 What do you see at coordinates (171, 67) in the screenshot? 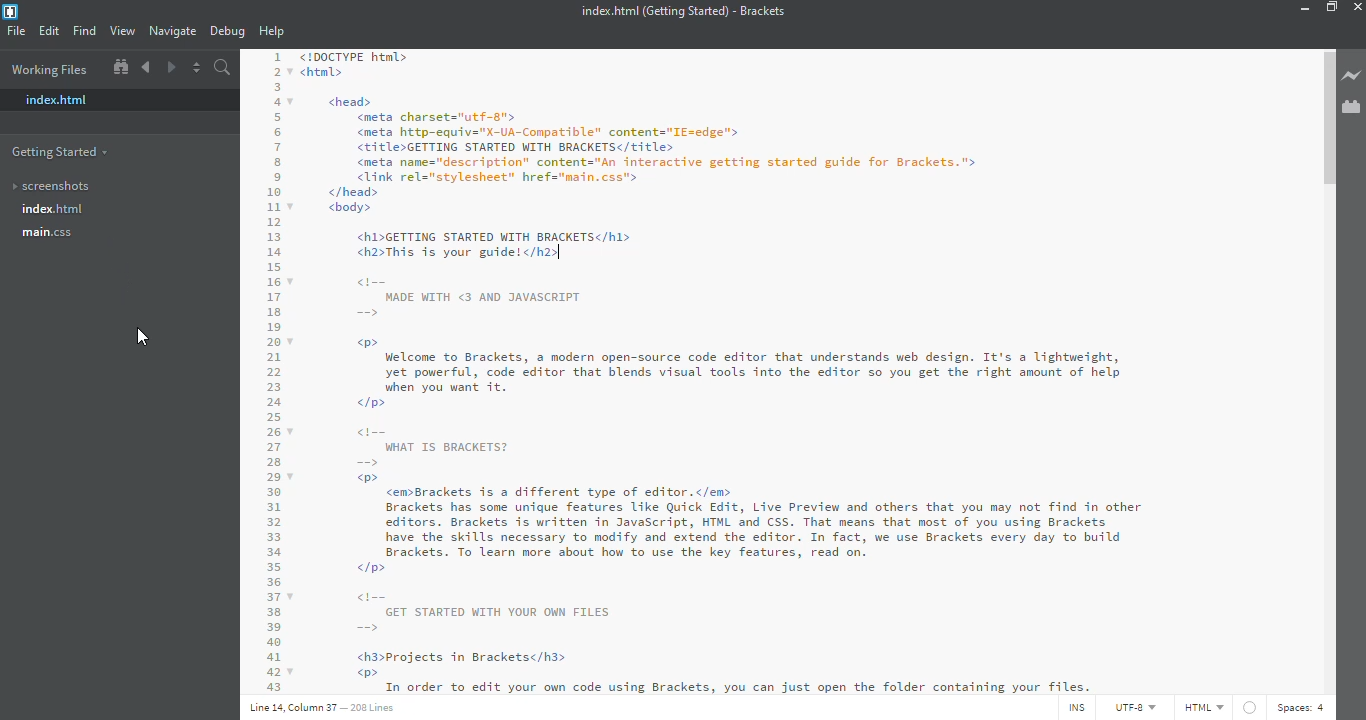
I see `forward` at bounding box center [171, 67].